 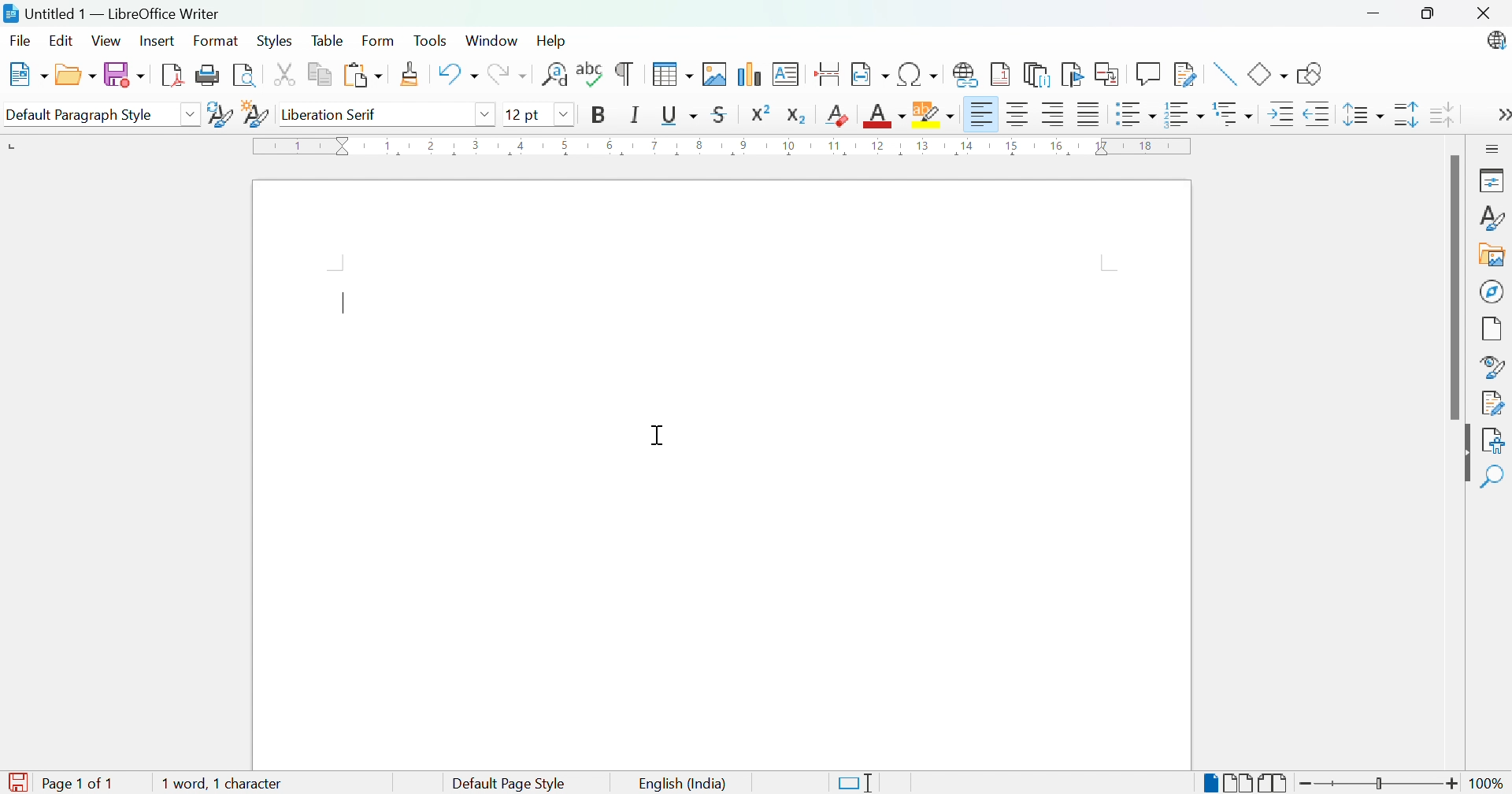 I want to click on Drop down, so click(x=194, y=112).